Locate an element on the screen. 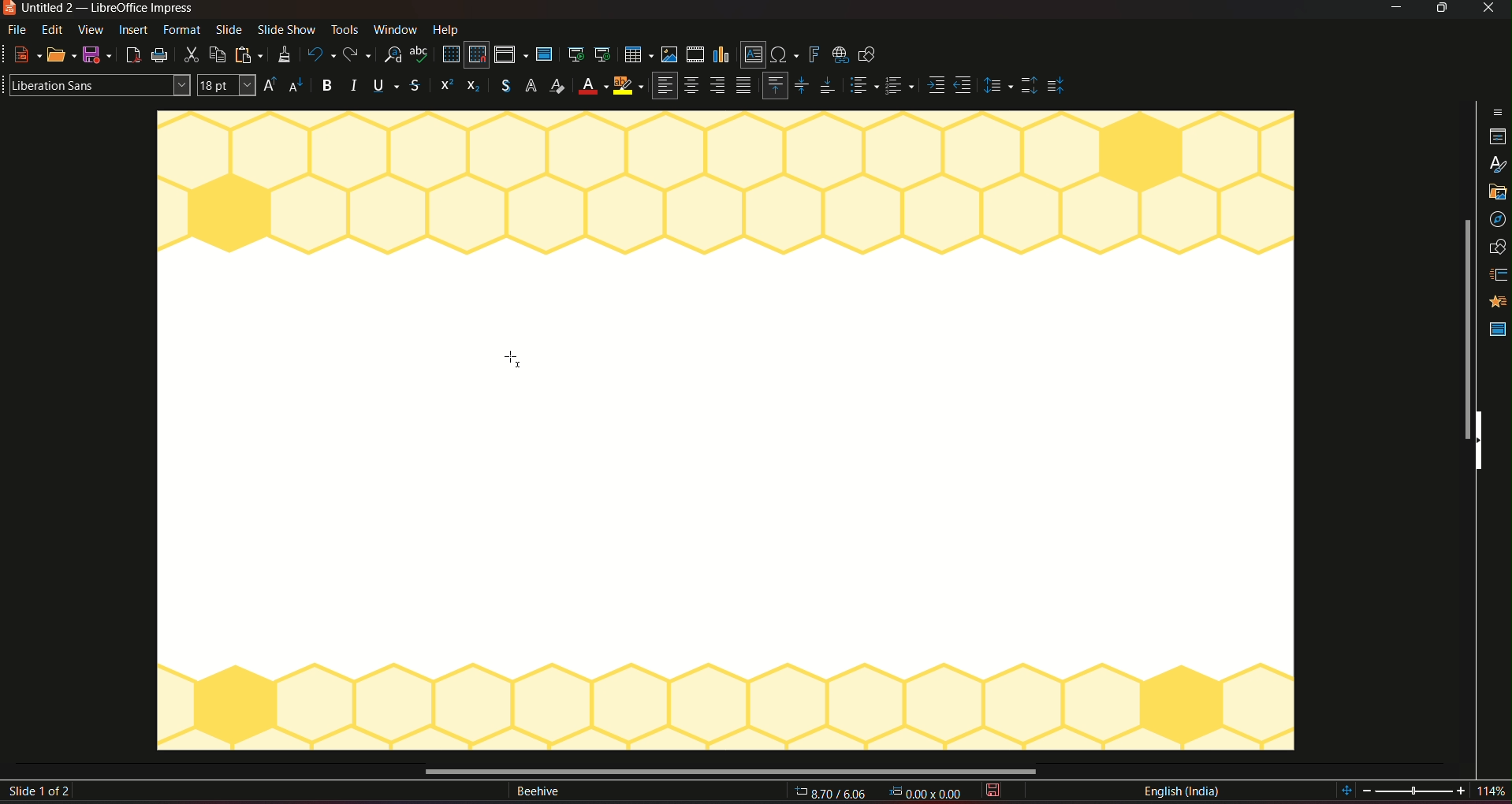 The width and height of the screenshot is (1512, 804). snap to grid is located at coordinates (478, 55).